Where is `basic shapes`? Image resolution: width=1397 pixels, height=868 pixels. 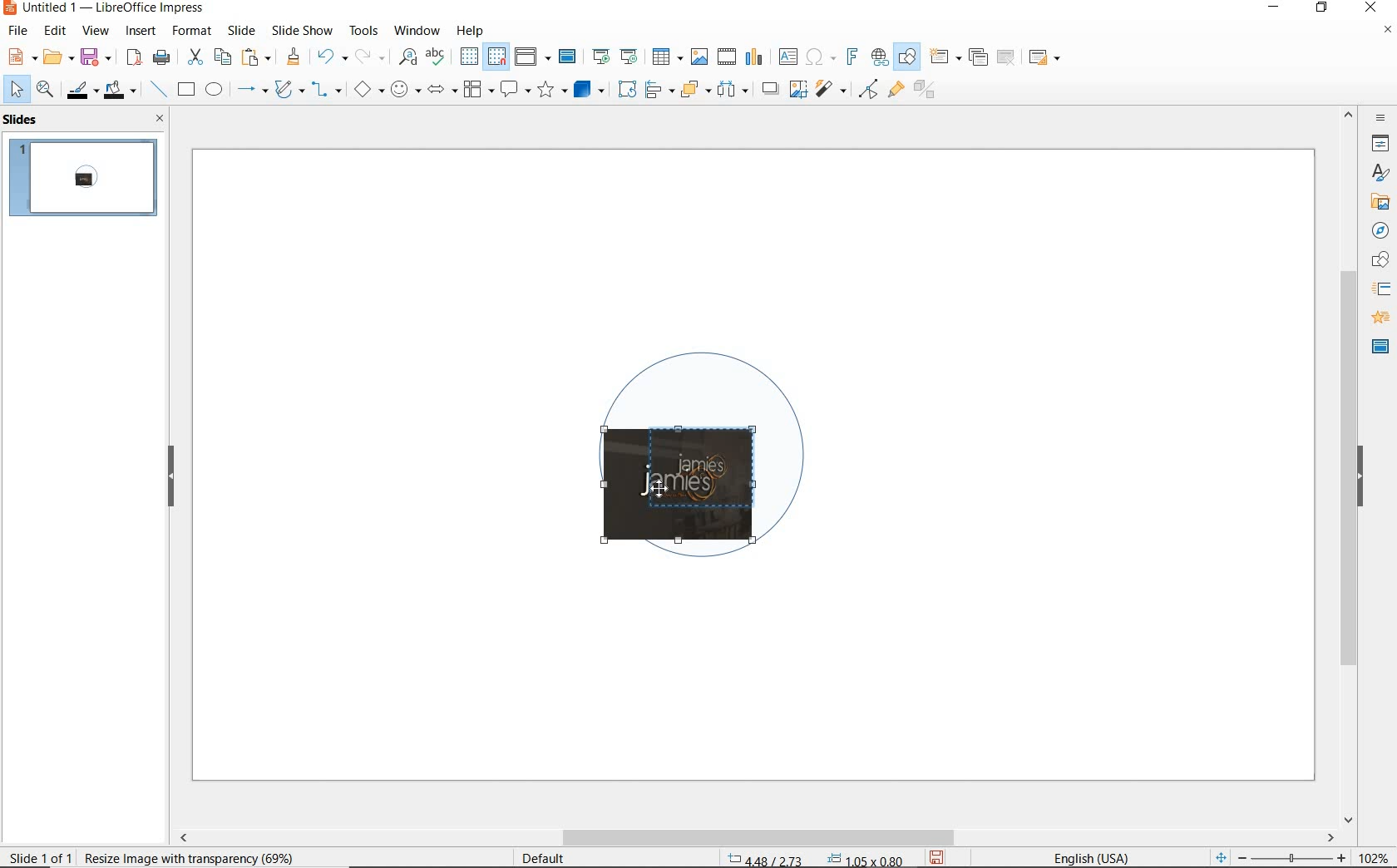 basic shapes is located at coordinates (368, 91).